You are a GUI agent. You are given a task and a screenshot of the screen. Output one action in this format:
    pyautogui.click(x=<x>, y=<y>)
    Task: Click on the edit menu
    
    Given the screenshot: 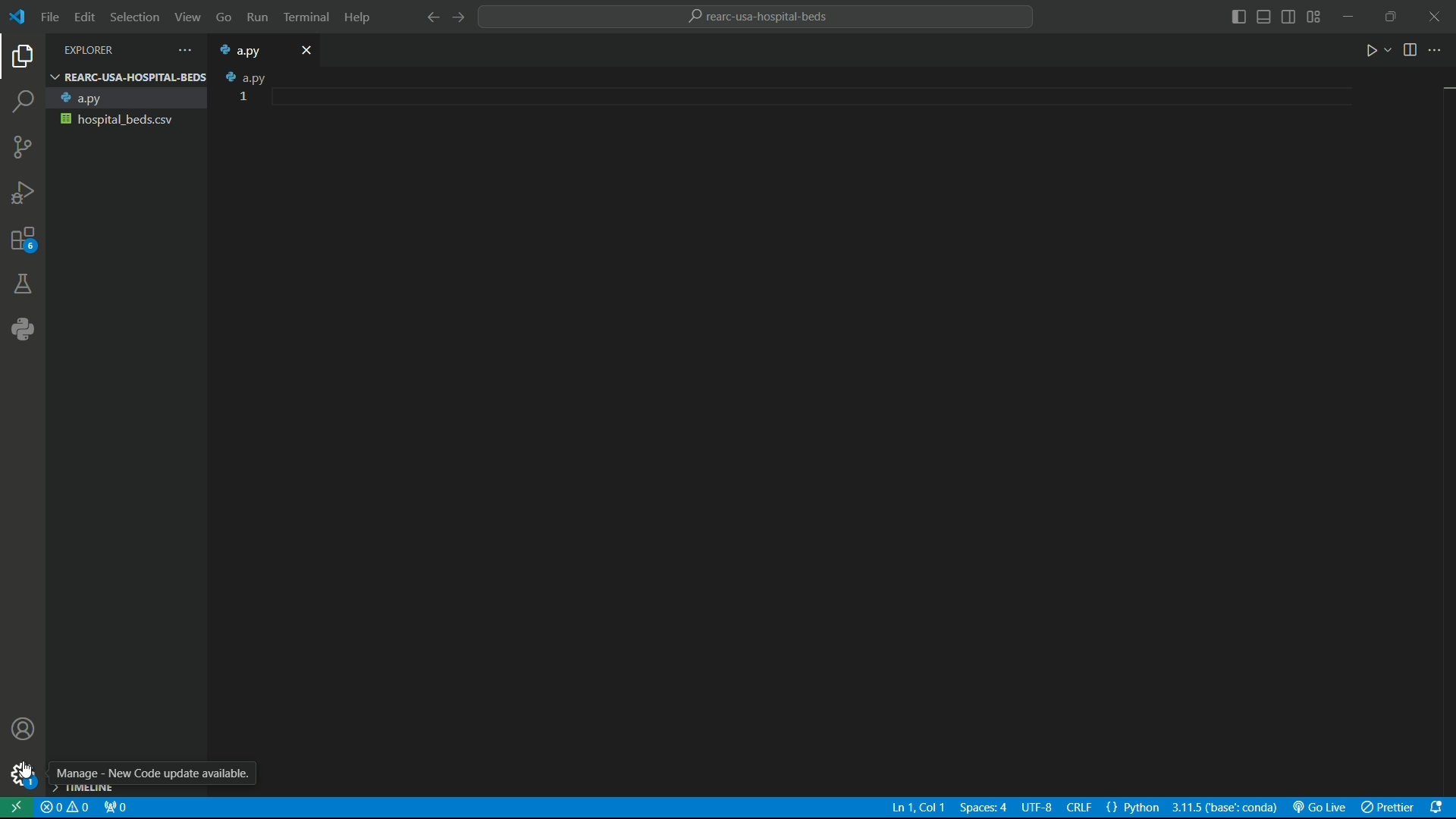 What is the action you would take?
    pyautogui.click(x=84, y=17)
    